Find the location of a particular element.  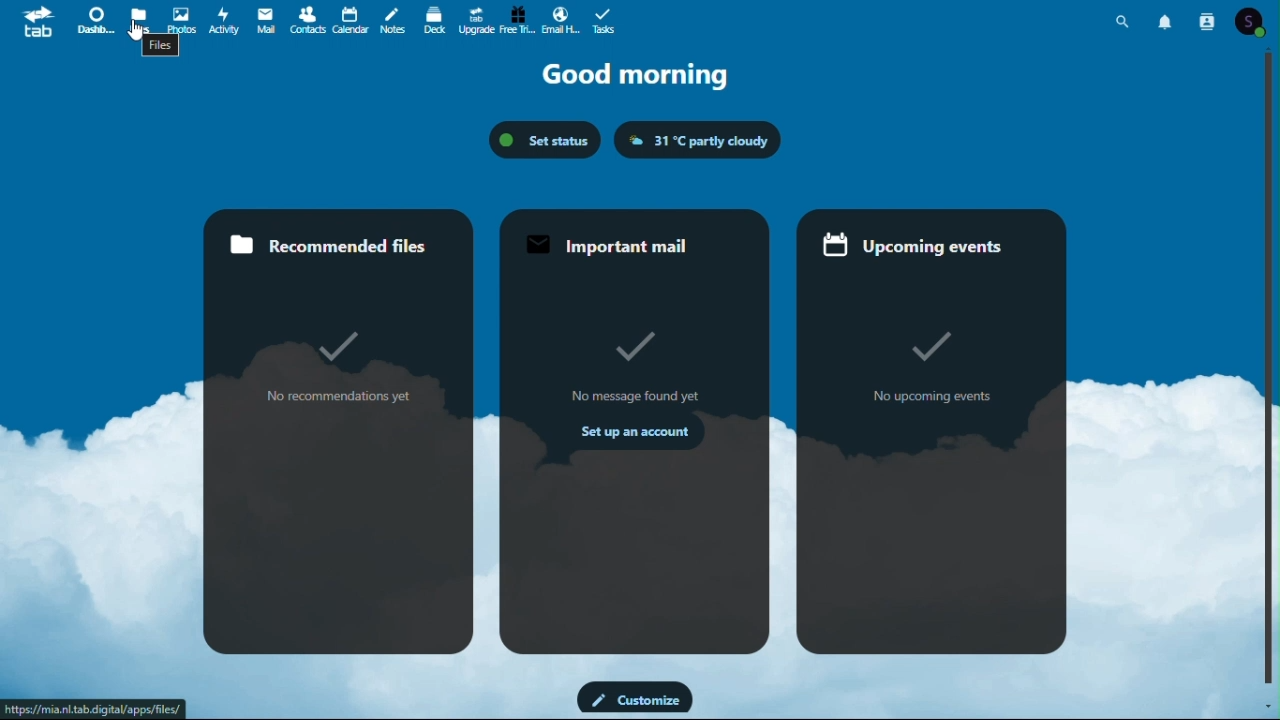

Set up an account is located at coordinates (624, 434).